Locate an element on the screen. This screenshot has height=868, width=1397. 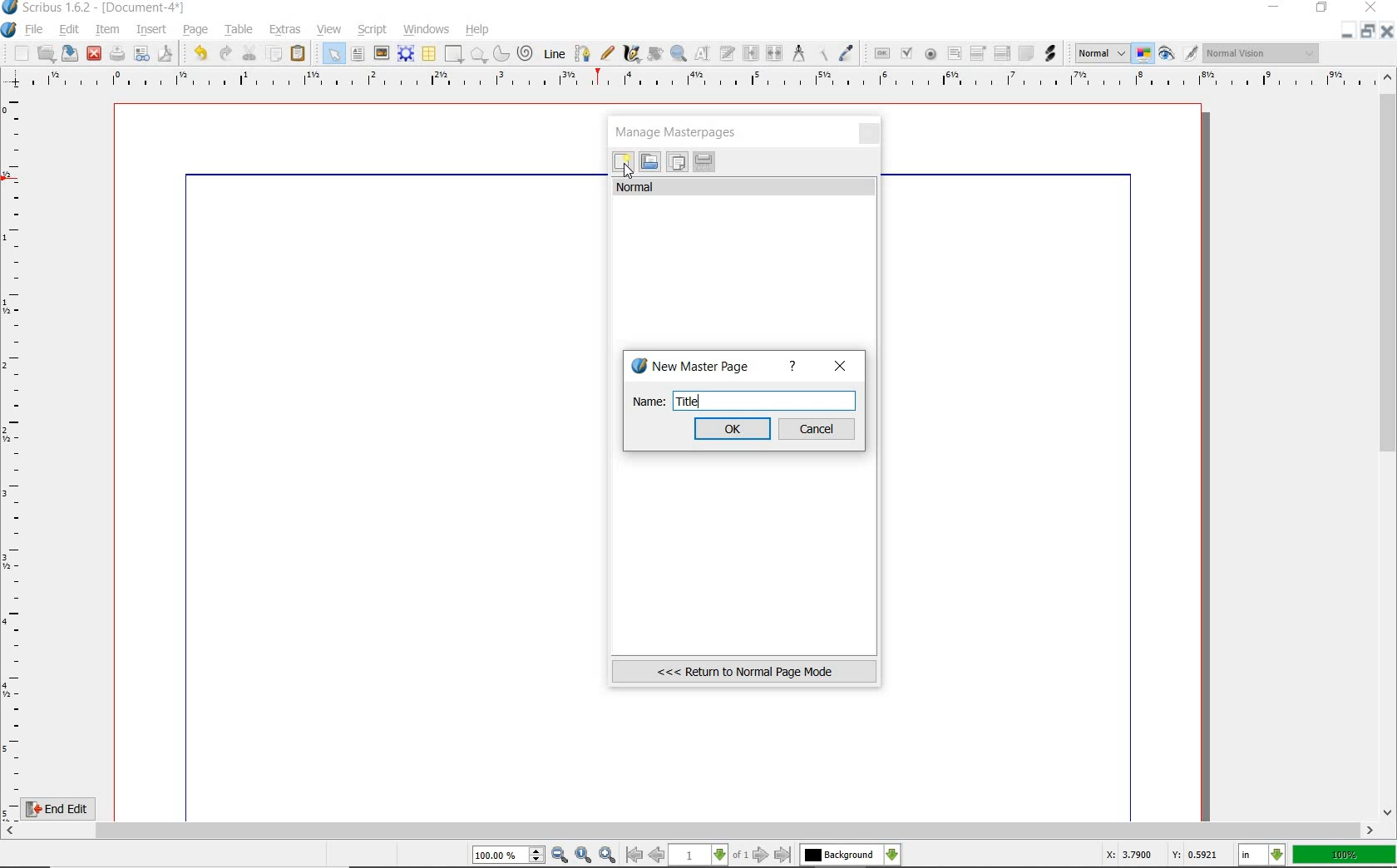
eye dropper is located at coordinates (847, 53).